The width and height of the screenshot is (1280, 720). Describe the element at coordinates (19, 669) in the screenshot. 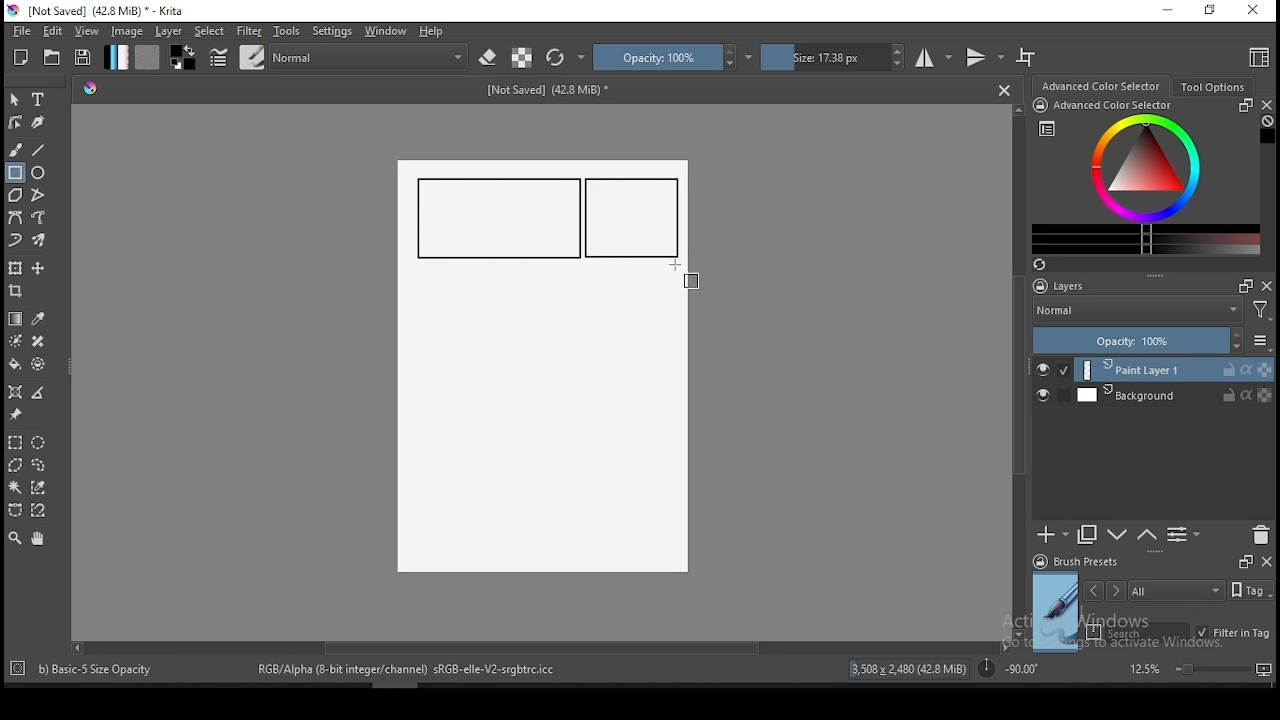

I see `Target` at that location.